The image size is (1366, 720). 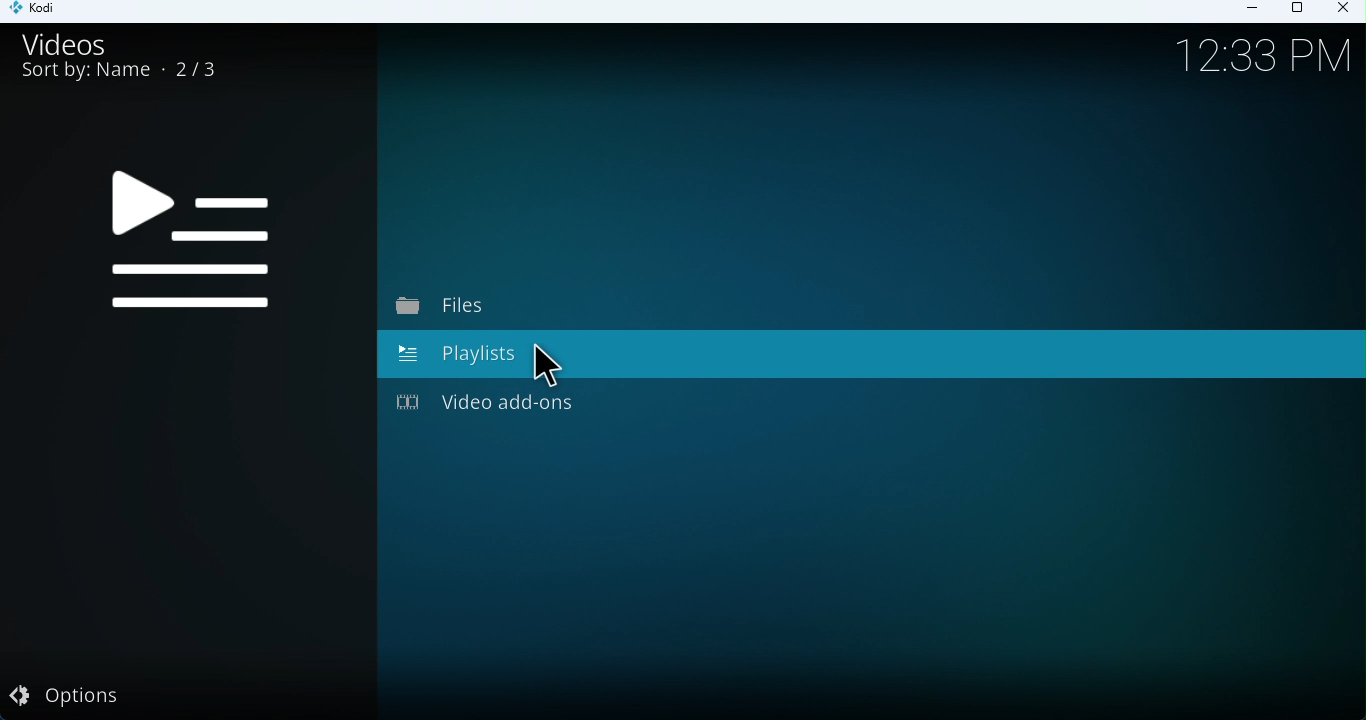 I want to click on Maximize, so click(x=1301, y=9).